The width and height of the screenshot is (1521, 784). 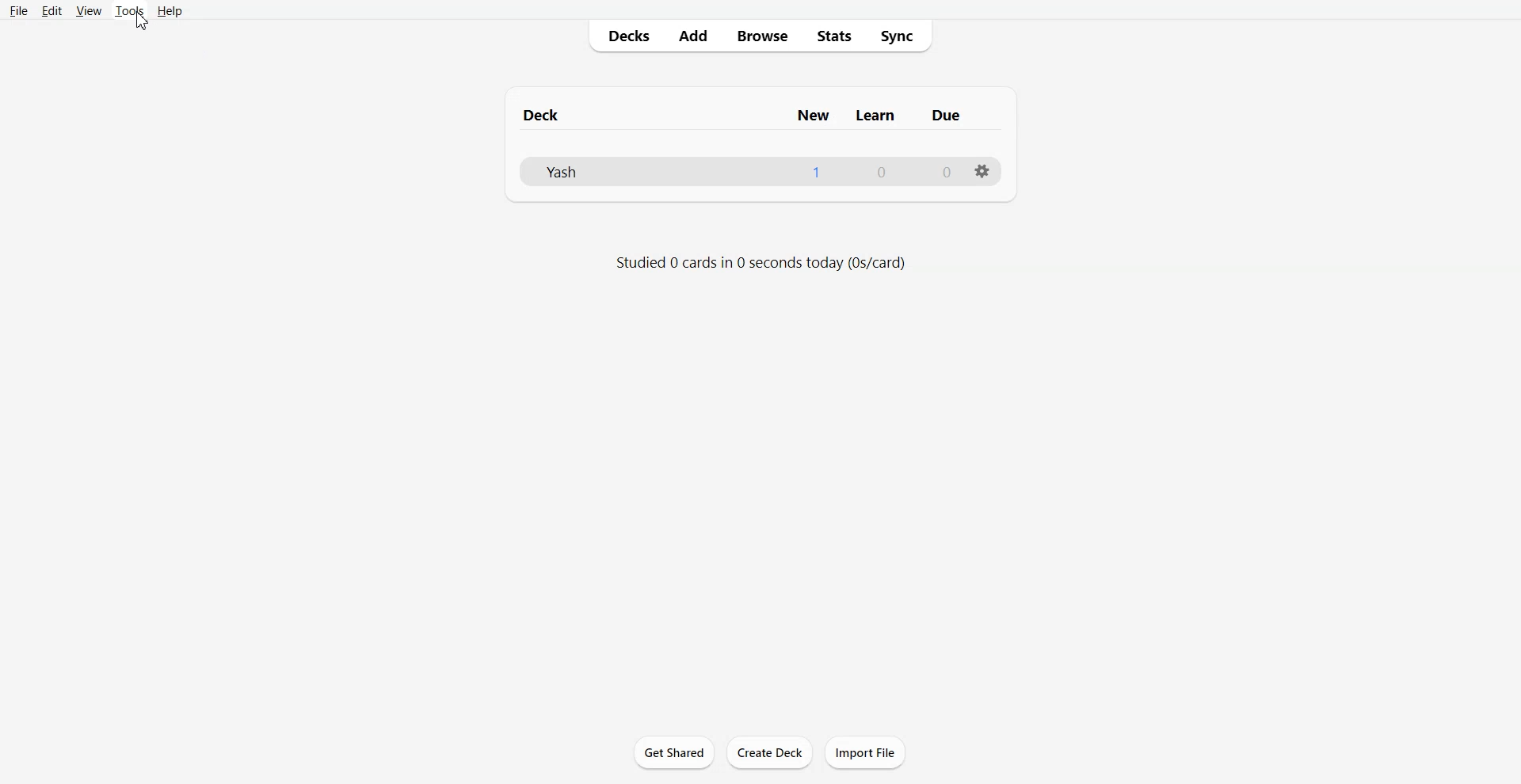 What do you see at coordinates (692, 37) in the screenshot?
I see `Add` at bounding box center [692, 37].